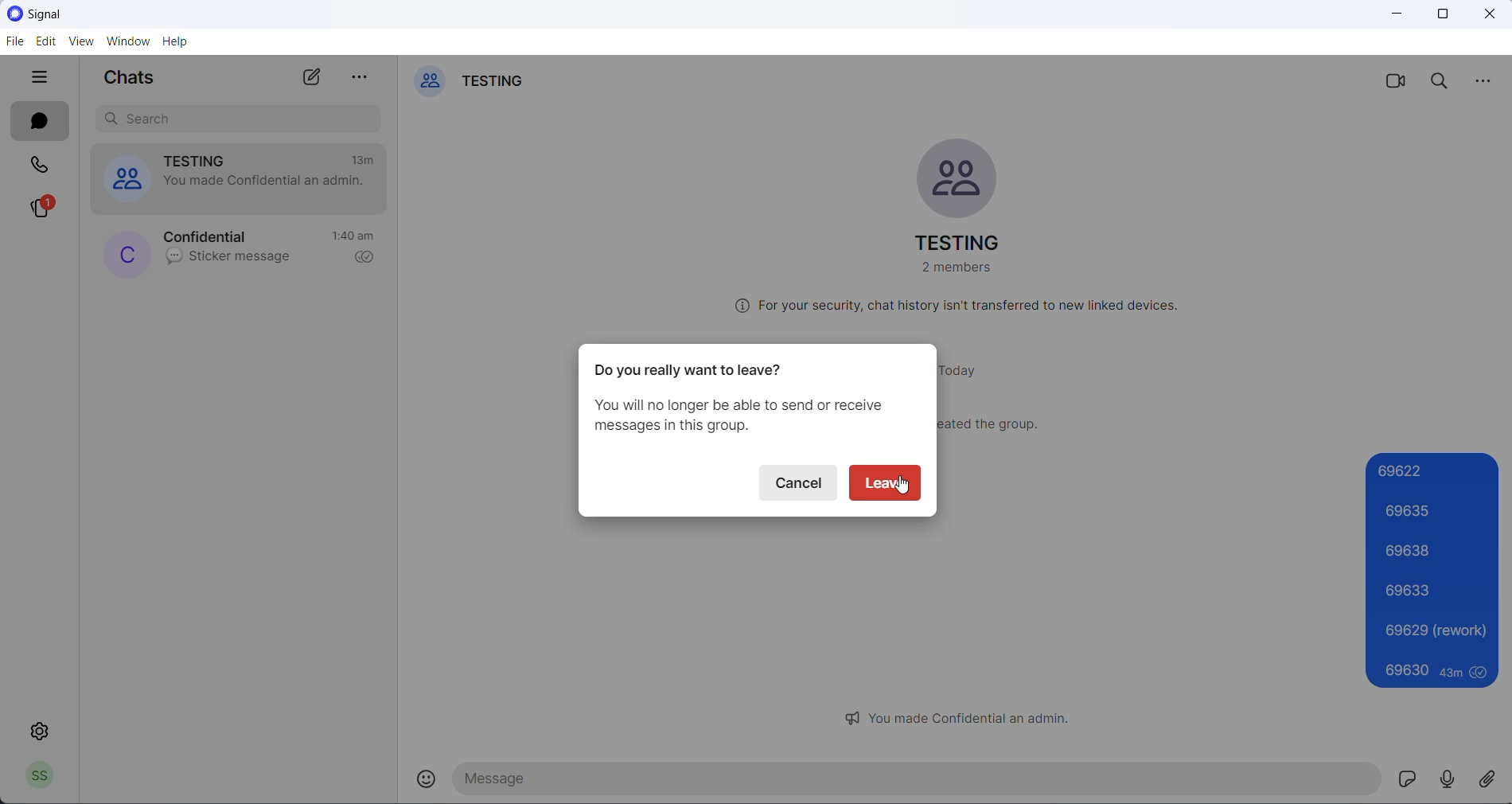 This screenshot has width=1512, height=804. I want to click on more options, so click(1484, 80).